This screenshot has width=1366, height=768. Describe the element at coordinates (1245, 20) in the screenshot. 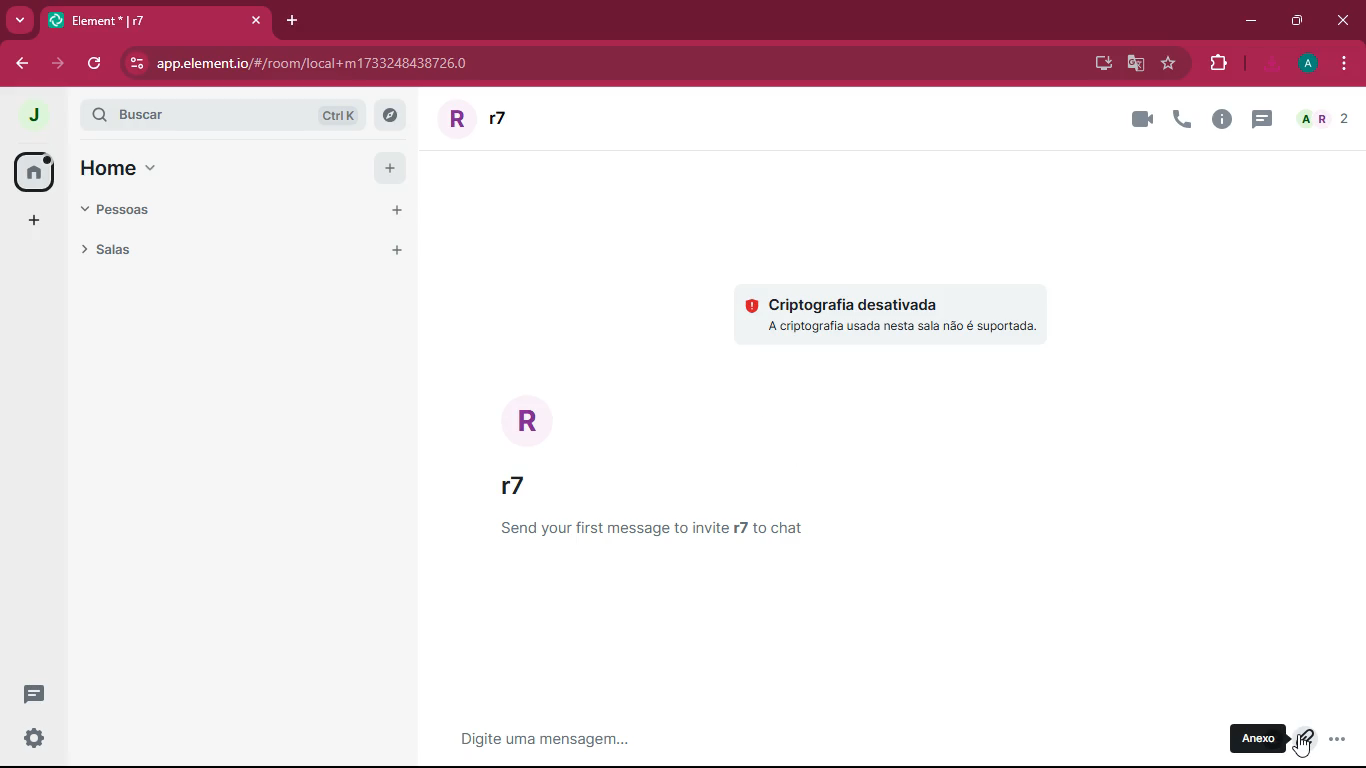

I see `minimize` at that location.